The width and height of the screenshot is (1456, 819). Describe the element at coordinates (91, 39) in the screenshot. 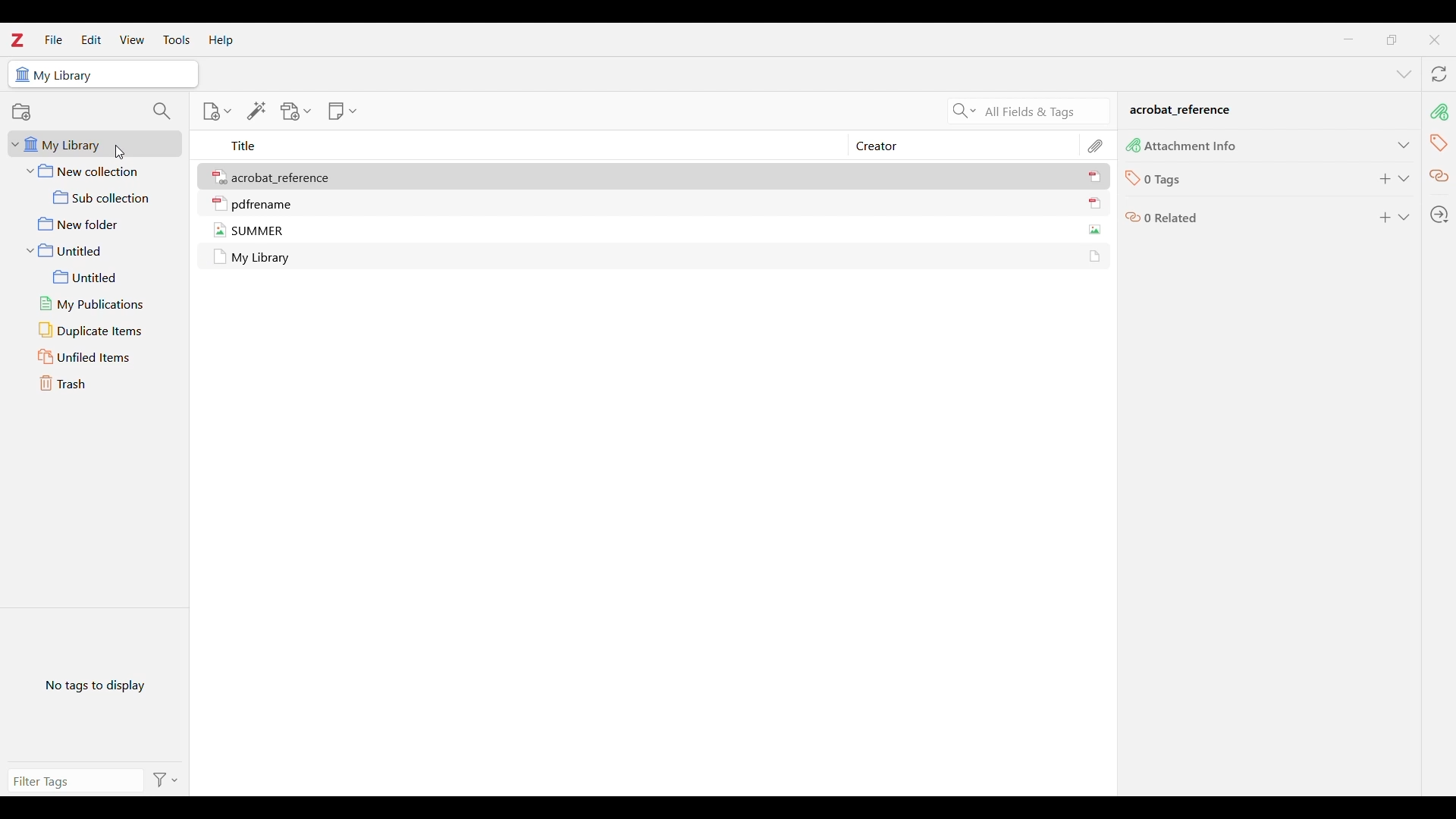

I see `Edit menu` at that location.